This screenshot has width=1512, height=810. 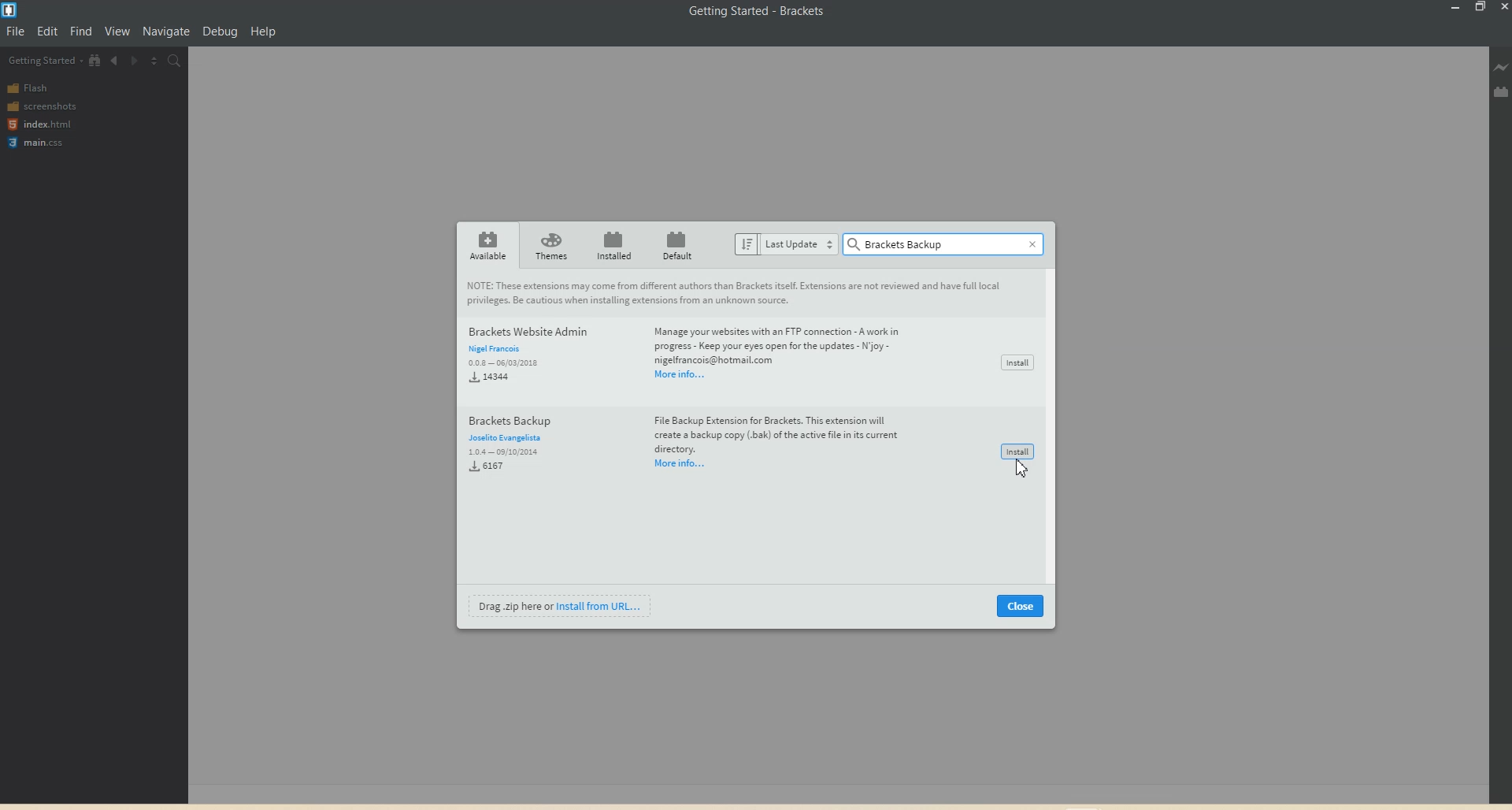 What do you see at coordinates (165, 32) in the screenshot?
I see `Navigation` at bounding box center [165, 32].